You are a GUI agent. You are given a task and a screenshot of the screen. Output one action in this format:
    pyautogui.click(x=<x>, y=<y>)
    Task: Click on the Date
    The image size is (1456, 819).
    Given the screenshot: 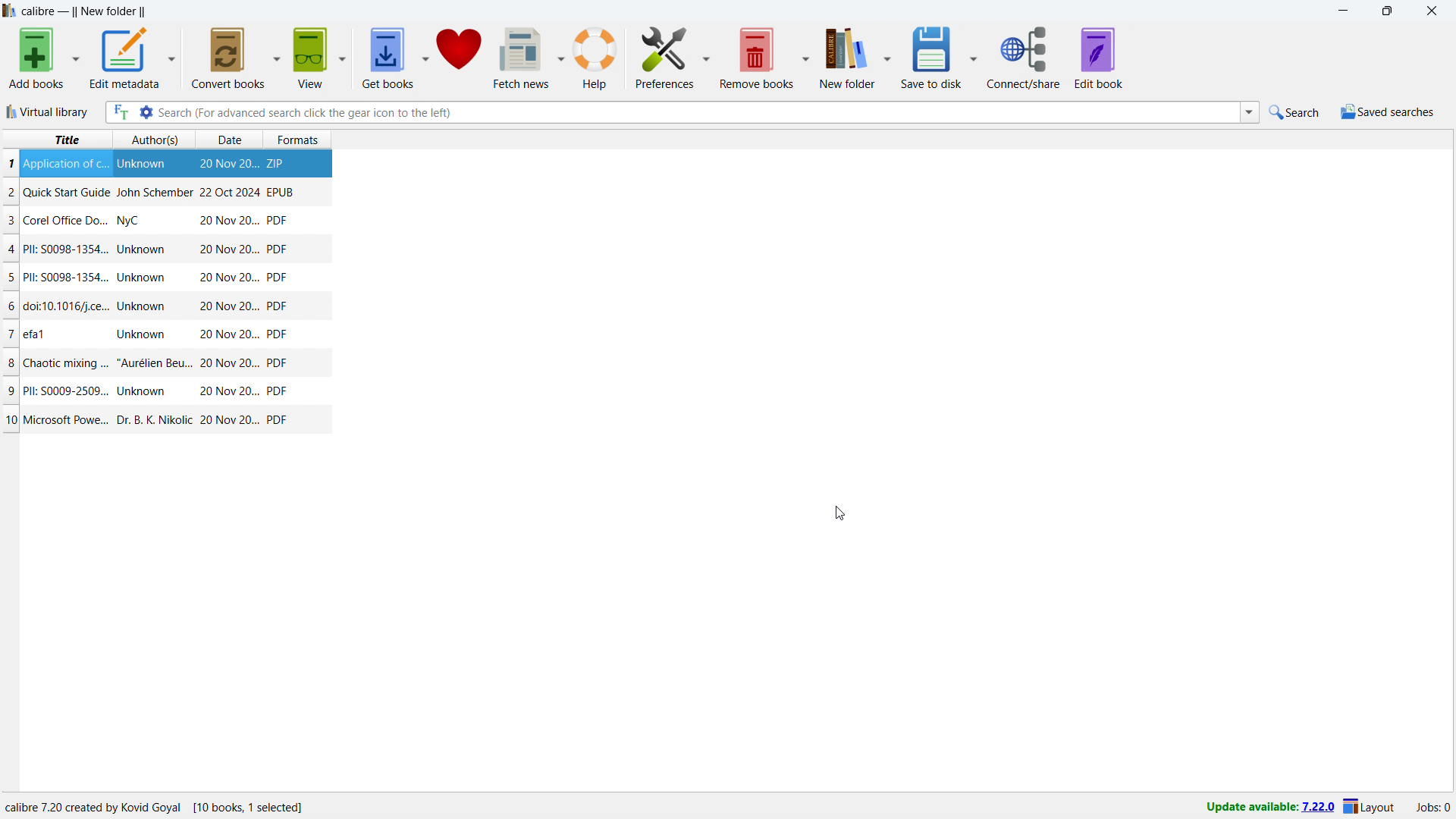 What is the action you would take?
    pyautogui.click(x=230, y=421)
    